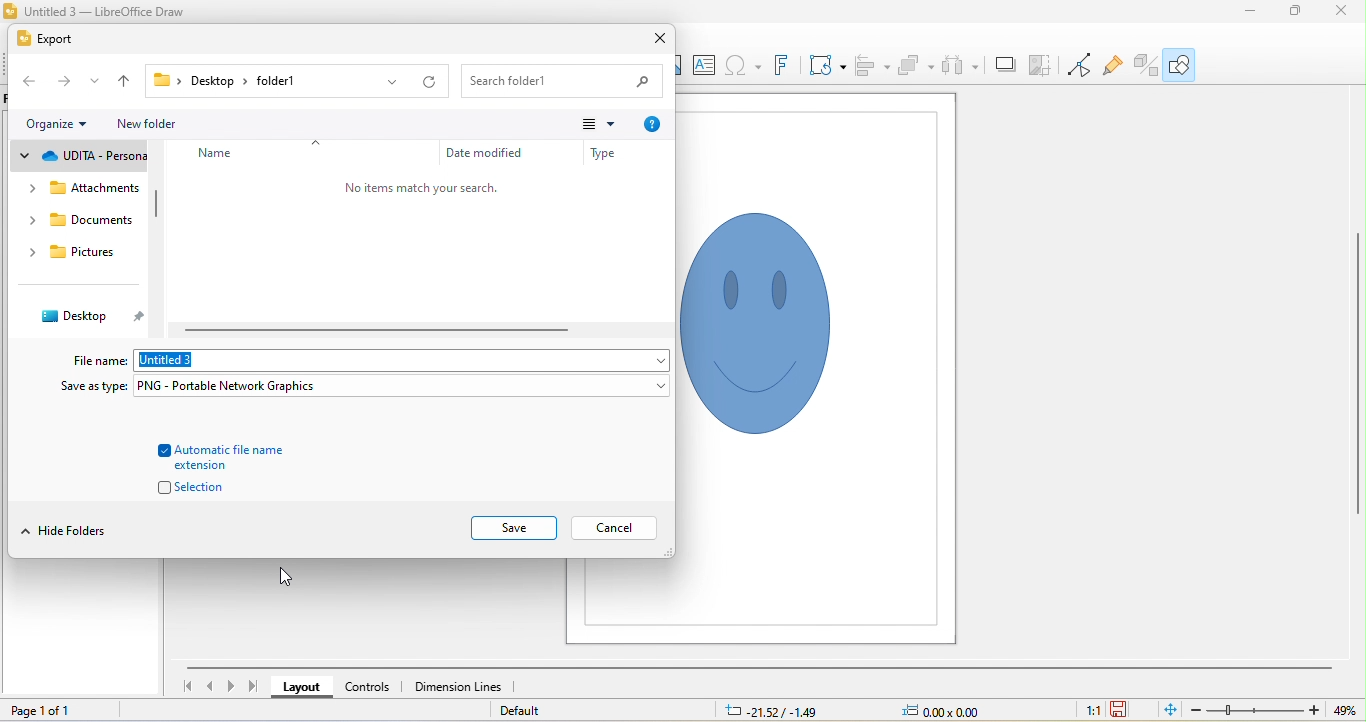 This screenshot has width=1366, height=722. Describe the element at coordinates (851, 709) in the screenshot. I see `cursor and object position` at that location.